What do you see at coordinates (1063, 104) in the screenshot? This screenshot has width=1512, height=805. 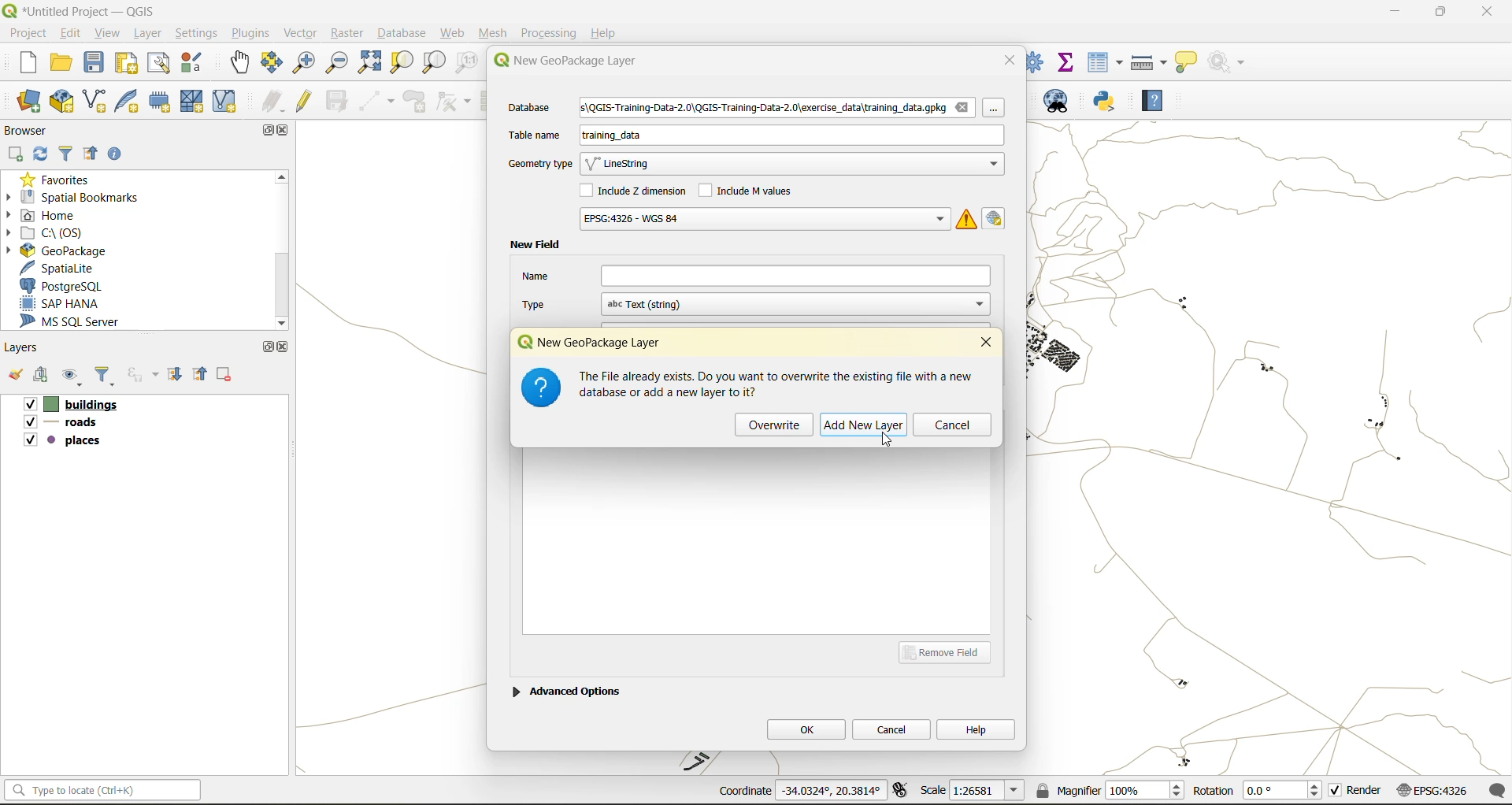 I see `metasearch` at bounding box center [1063, 104].